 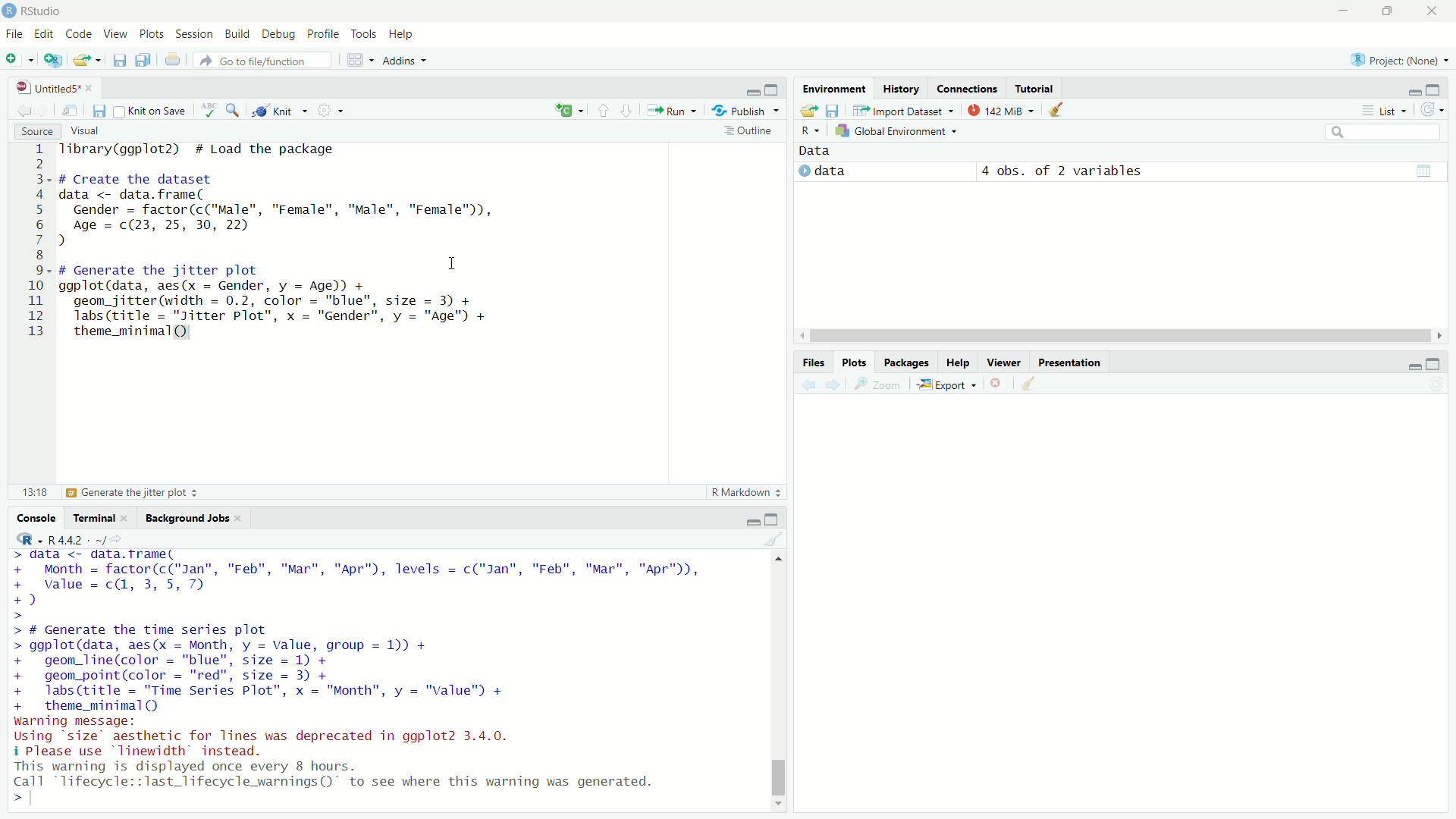 What do you see at coordinates (1062, 169) in the screenshot?
I see `4 obs. of 2 variables` at bounding box center [1062, 169].